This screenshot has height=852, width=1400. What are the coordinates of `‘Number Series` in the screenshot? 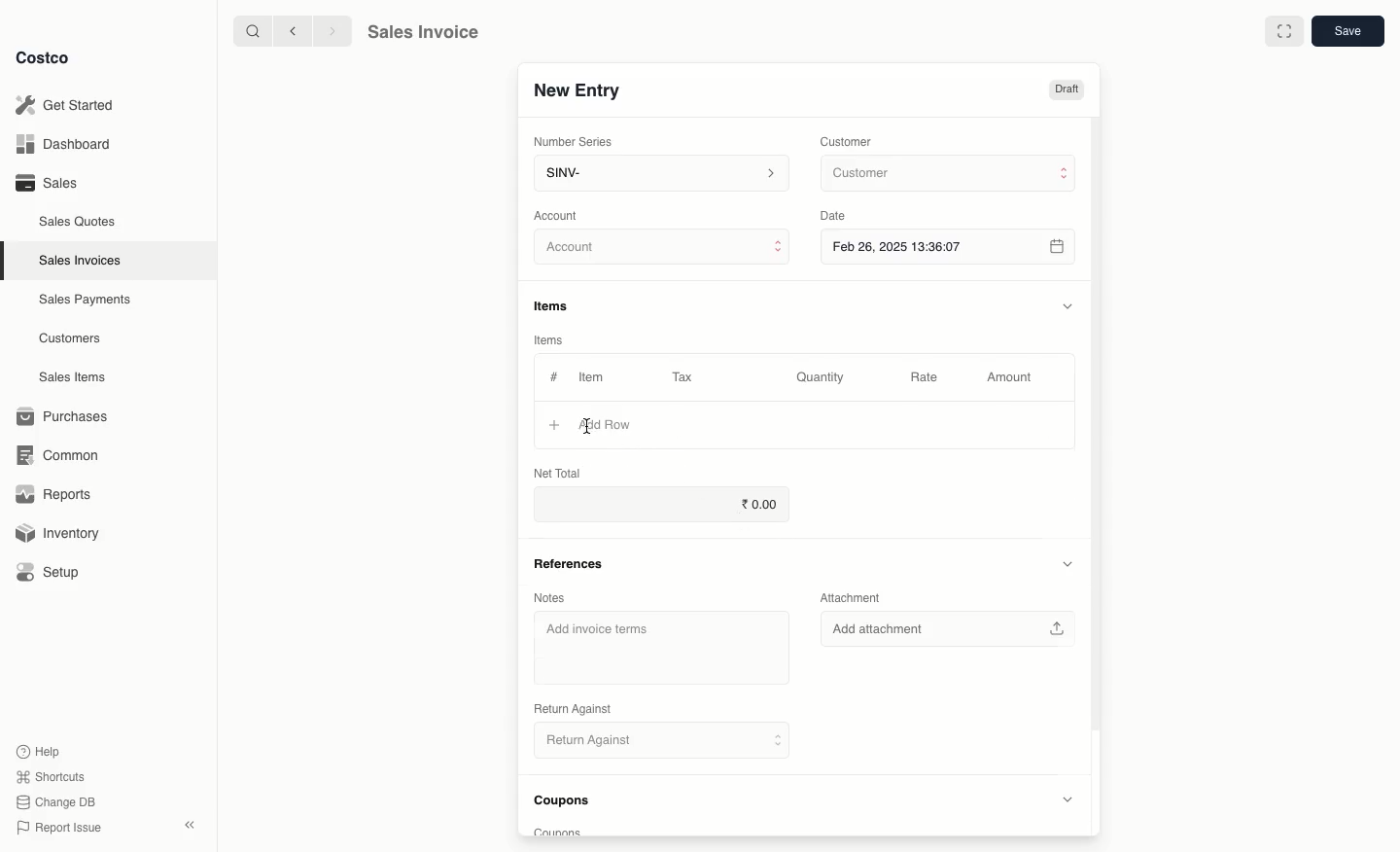 It's located at (570, 142).